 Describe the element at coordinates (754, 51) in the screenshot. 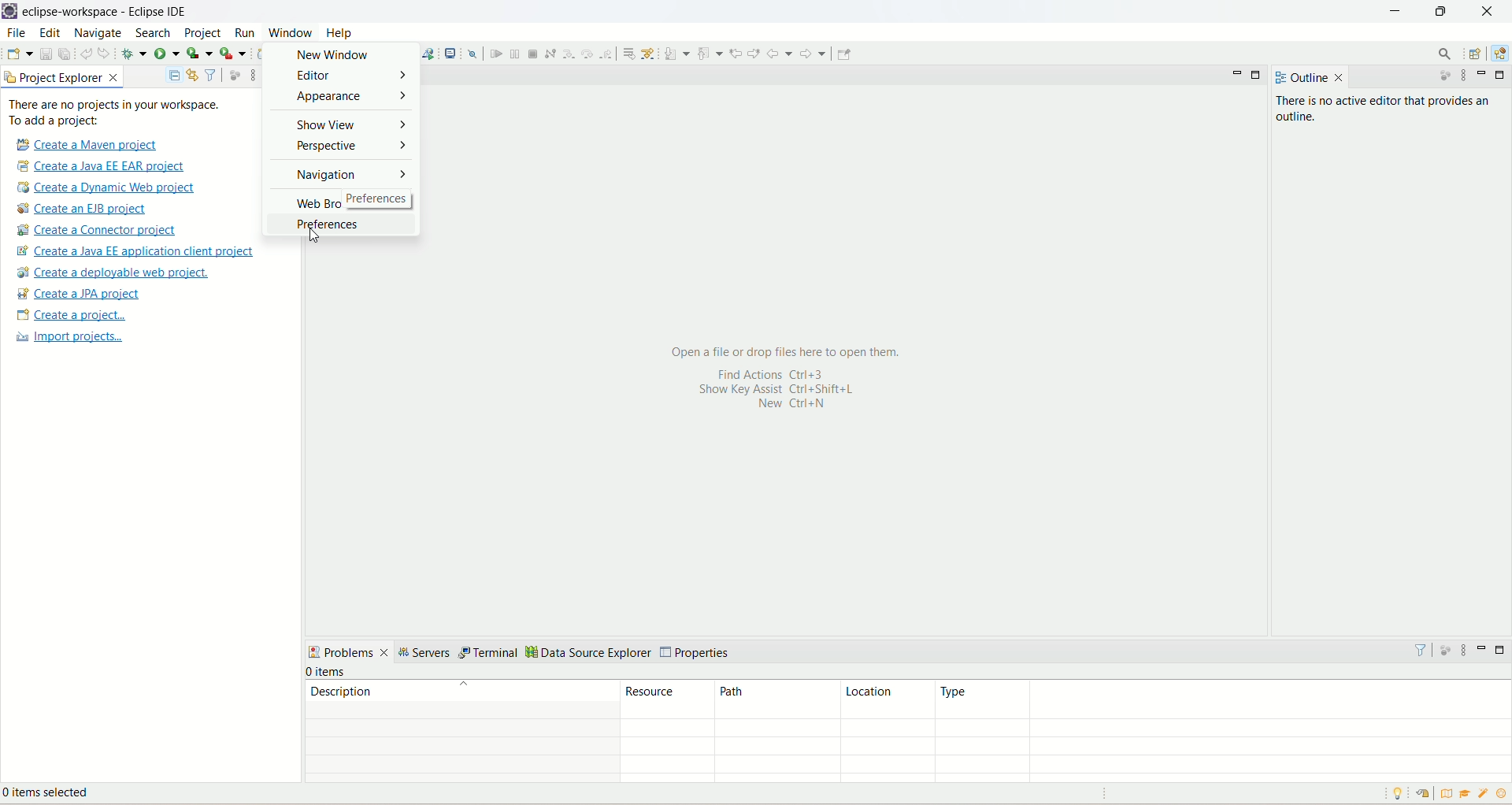

I see `next edit location` at that location.